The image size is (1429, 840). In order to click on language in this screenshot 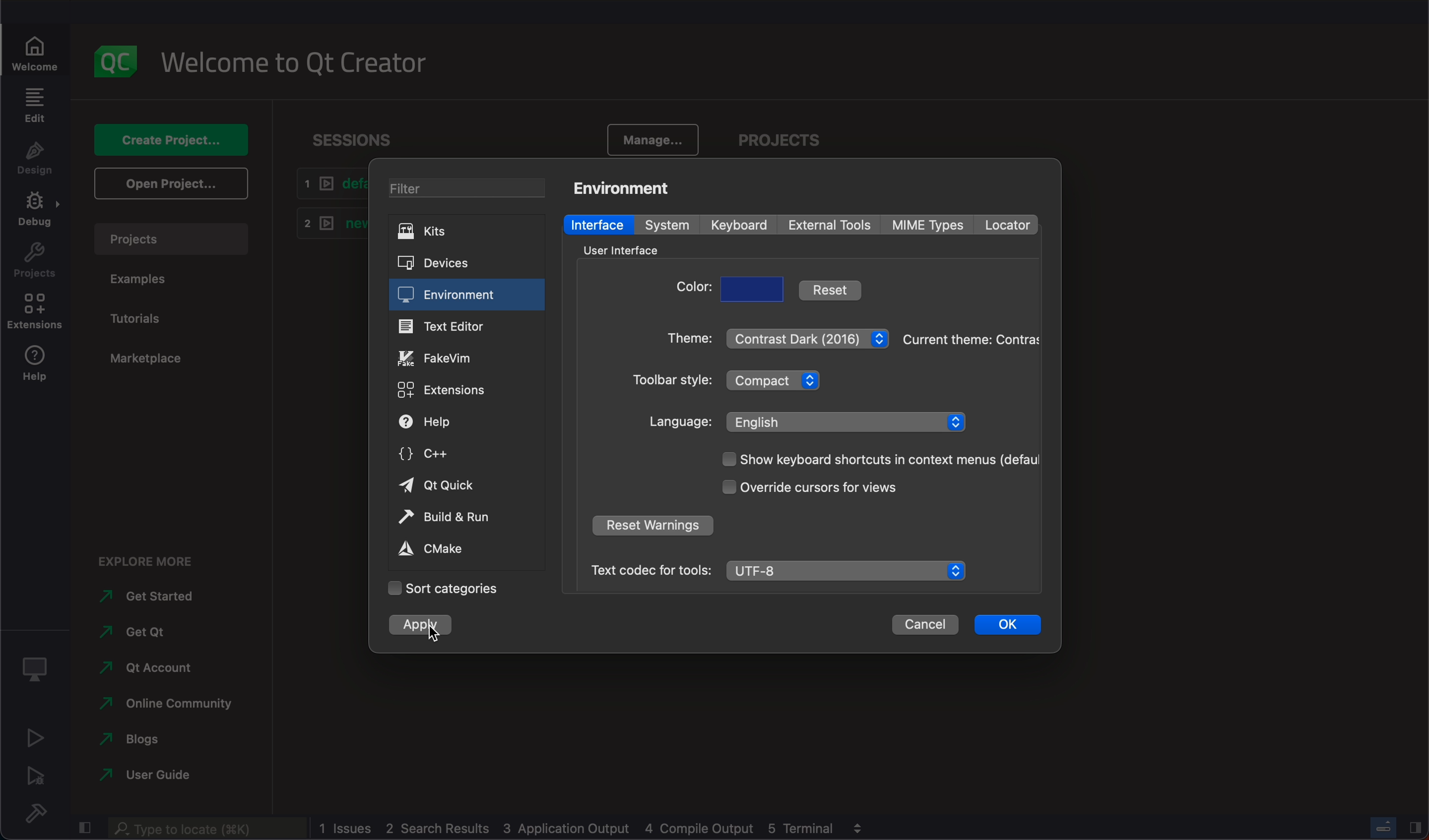, I will do `click(677, 422)`.